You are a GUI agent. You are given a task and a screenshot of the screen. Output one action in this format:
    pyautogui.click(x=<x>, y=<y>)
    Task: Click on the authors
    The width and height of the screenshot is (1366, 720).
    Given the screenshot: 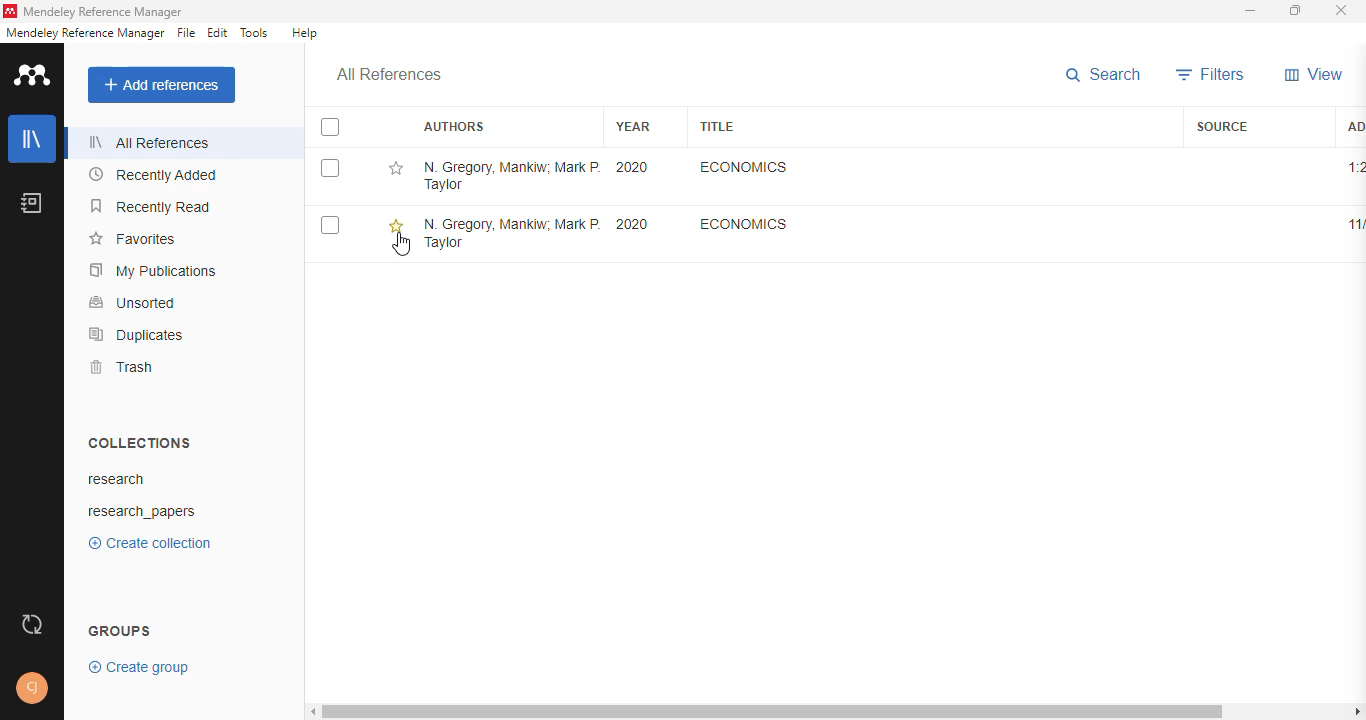 What is the action you would take?
    pyautogui.click(x=453, y=126)
    